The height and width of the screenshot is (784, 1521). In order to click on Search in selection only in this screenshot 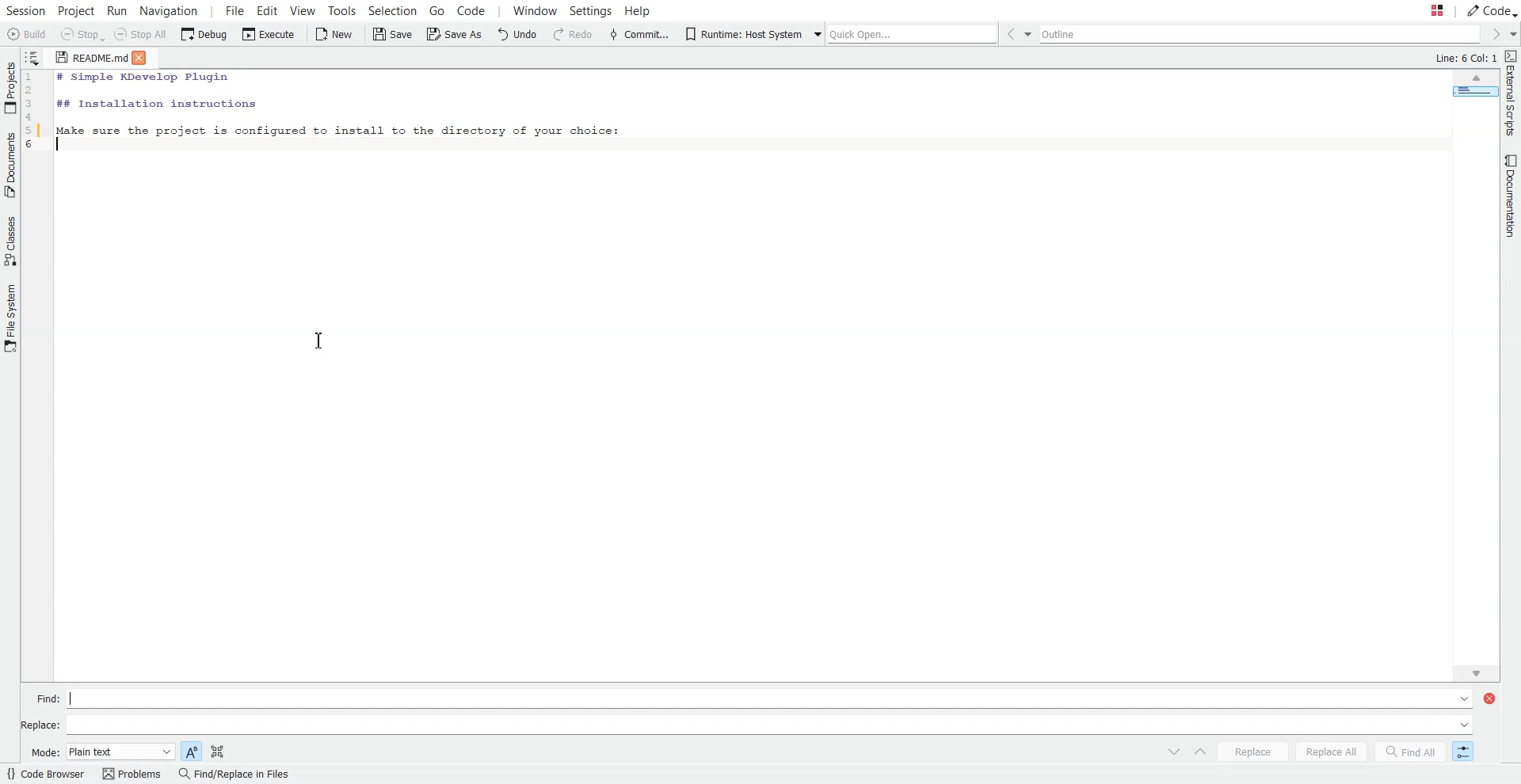, I will do `click(217, 750)`.